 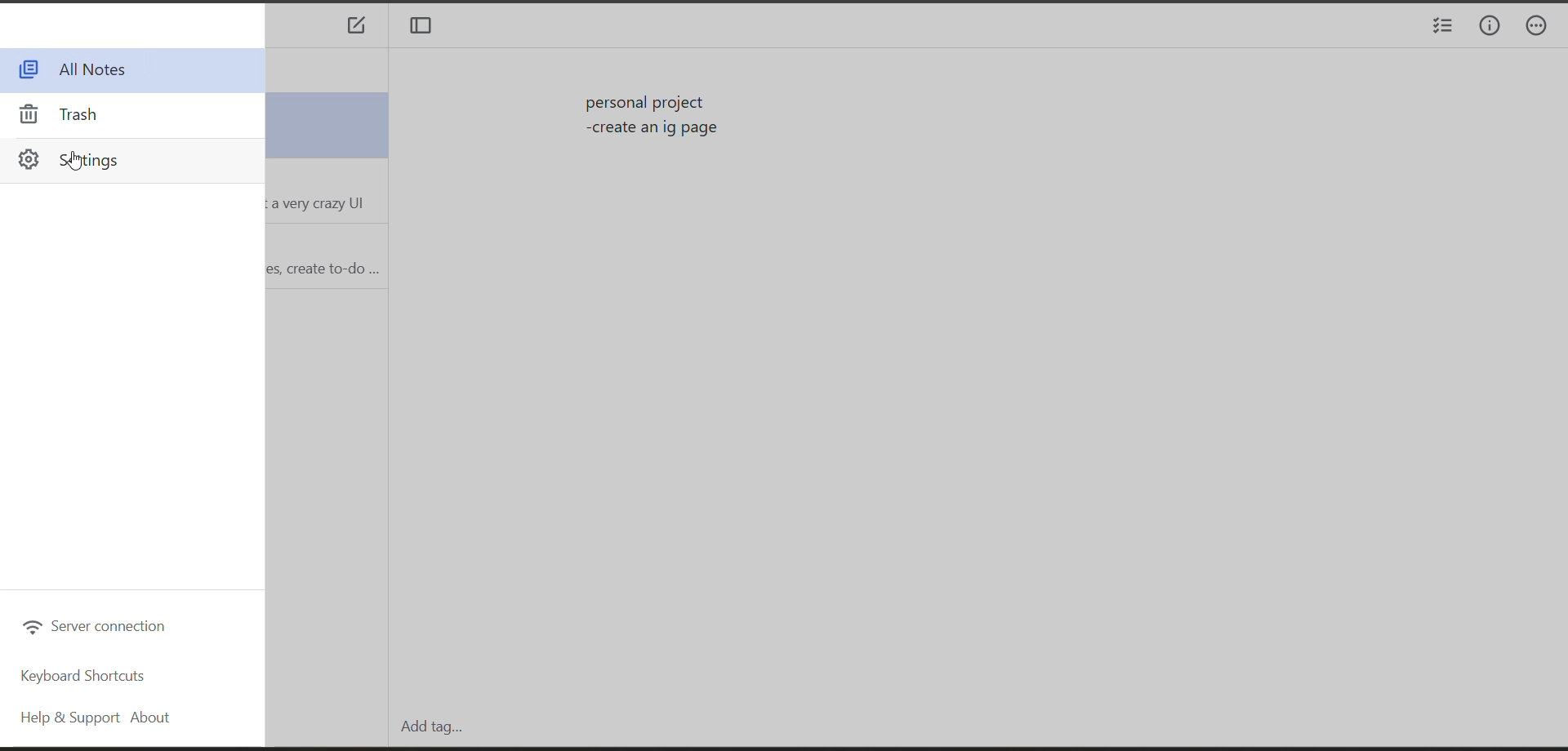 What do you see at coordinates (82, 69) in the screenshot?
I see `all notes` at bounding box center [82, 69].